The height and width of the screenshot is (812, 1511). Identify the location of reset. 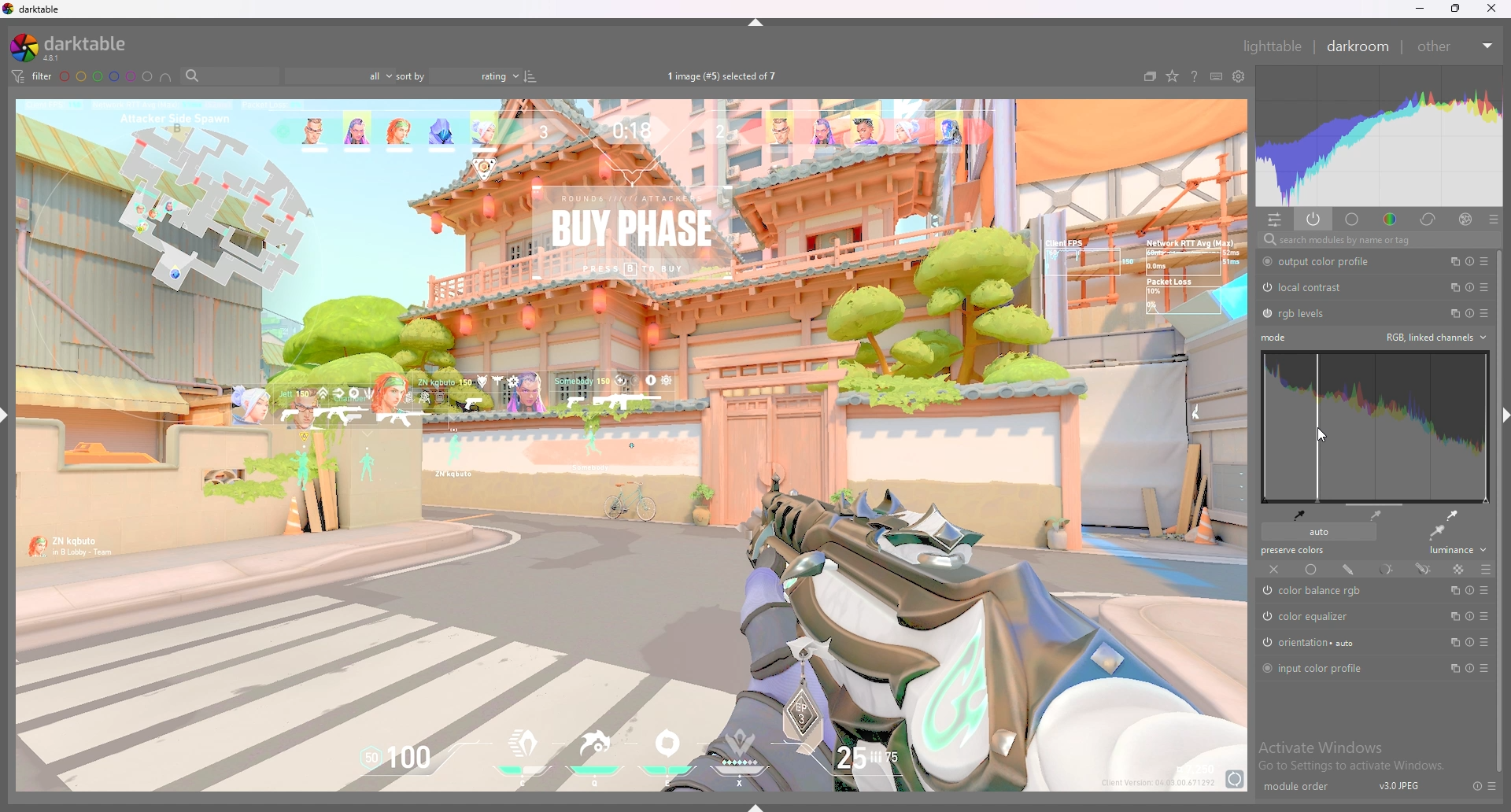
(1472, 785).